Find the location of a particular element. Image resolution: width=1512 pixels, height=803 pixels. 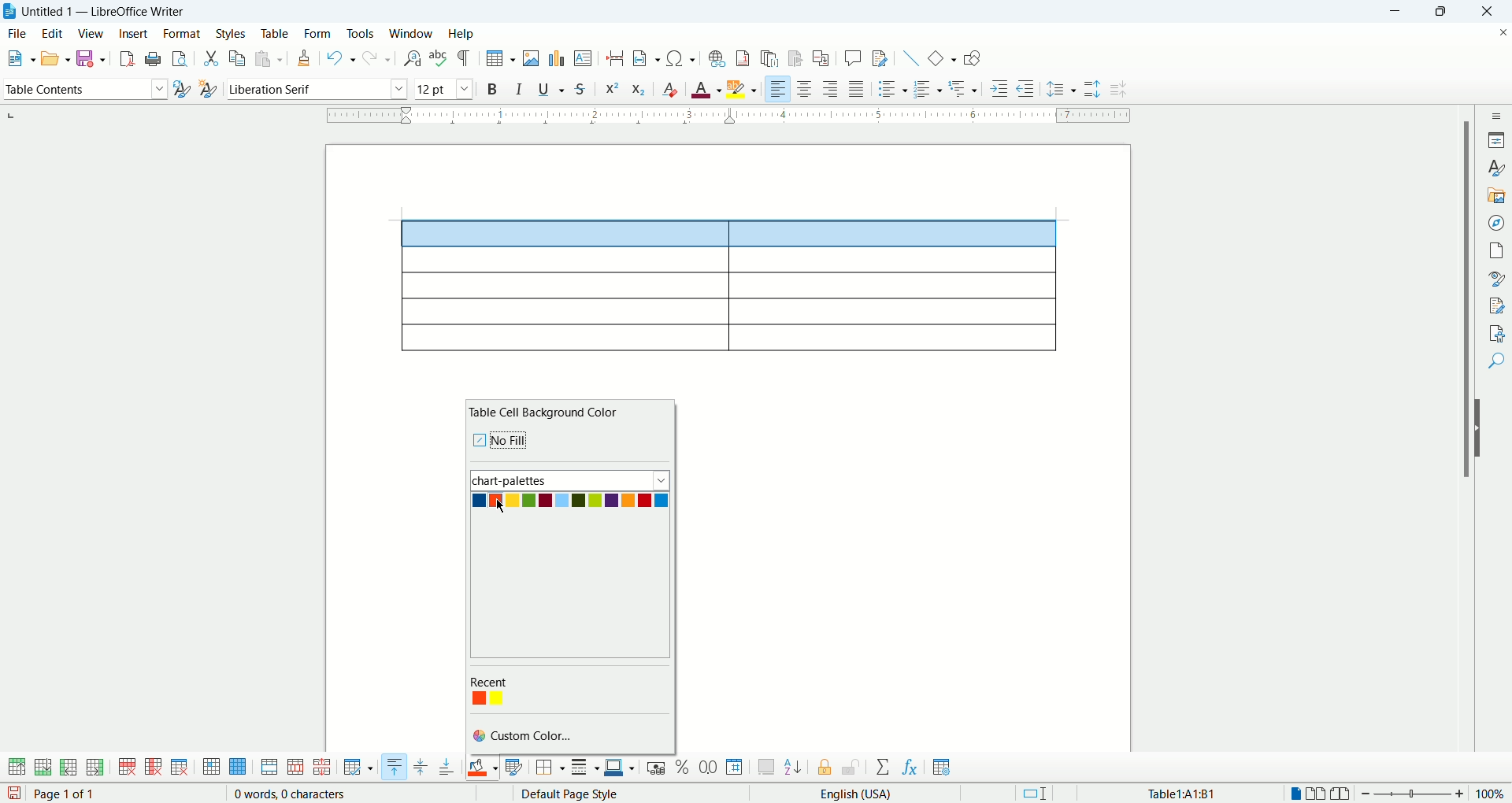

border style is located at coordinates (584, 768).